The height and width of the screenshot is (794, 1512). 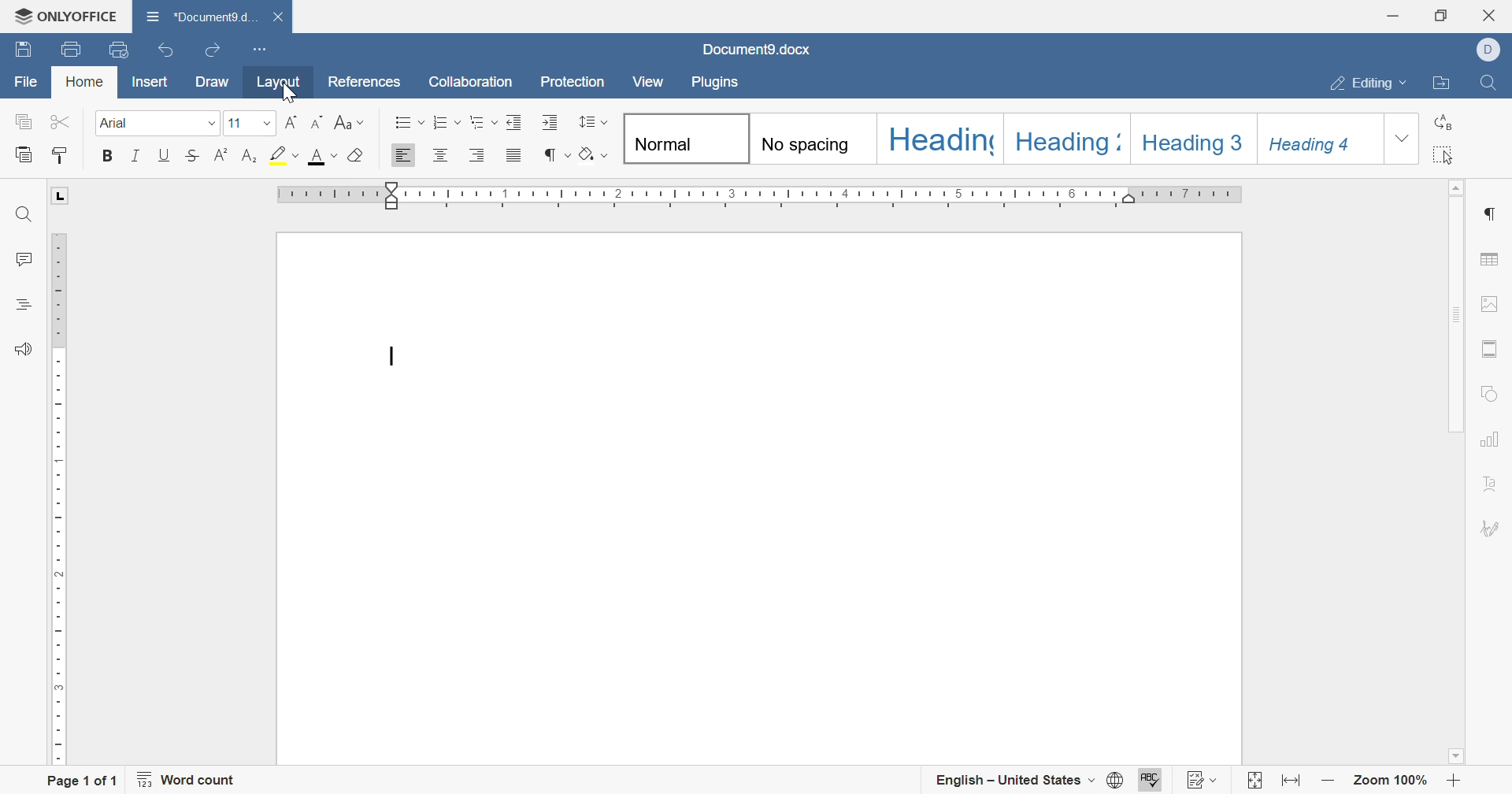 I want to click on word count, so click(x=187, y=780).